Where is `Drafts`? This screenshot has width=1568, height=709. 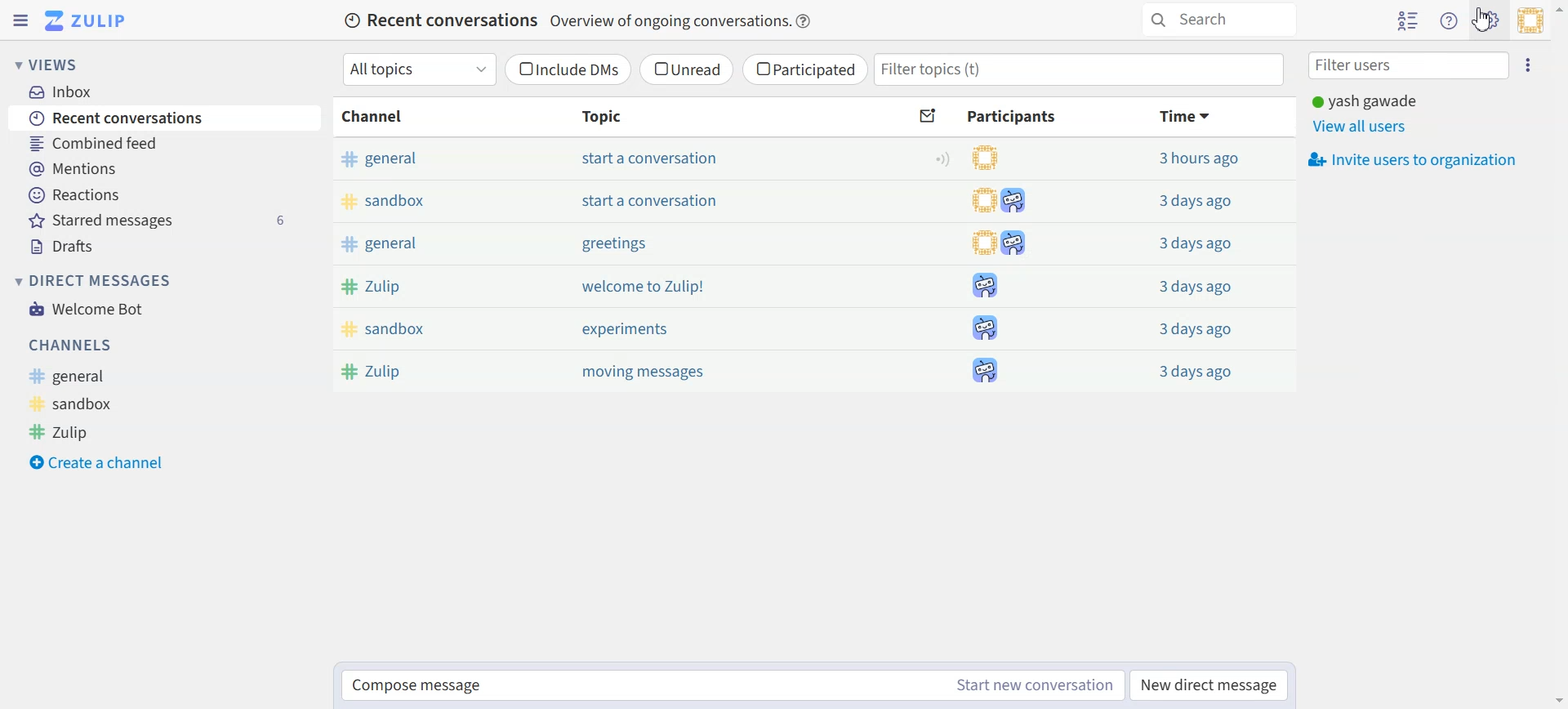 Drafts is located at coordinates (64, 247).